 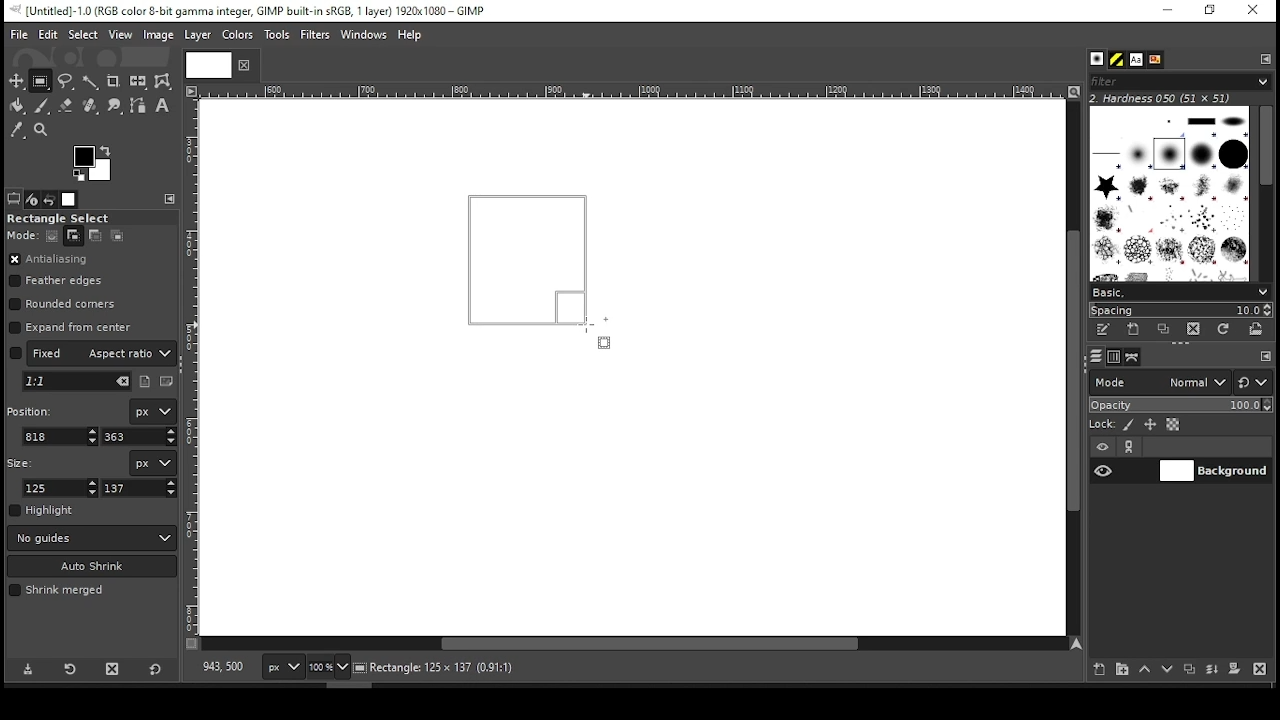 What do you see at coordinates (68, 82) in the screenshot?
I see `free selection tool` at bounding box center [68, 82].